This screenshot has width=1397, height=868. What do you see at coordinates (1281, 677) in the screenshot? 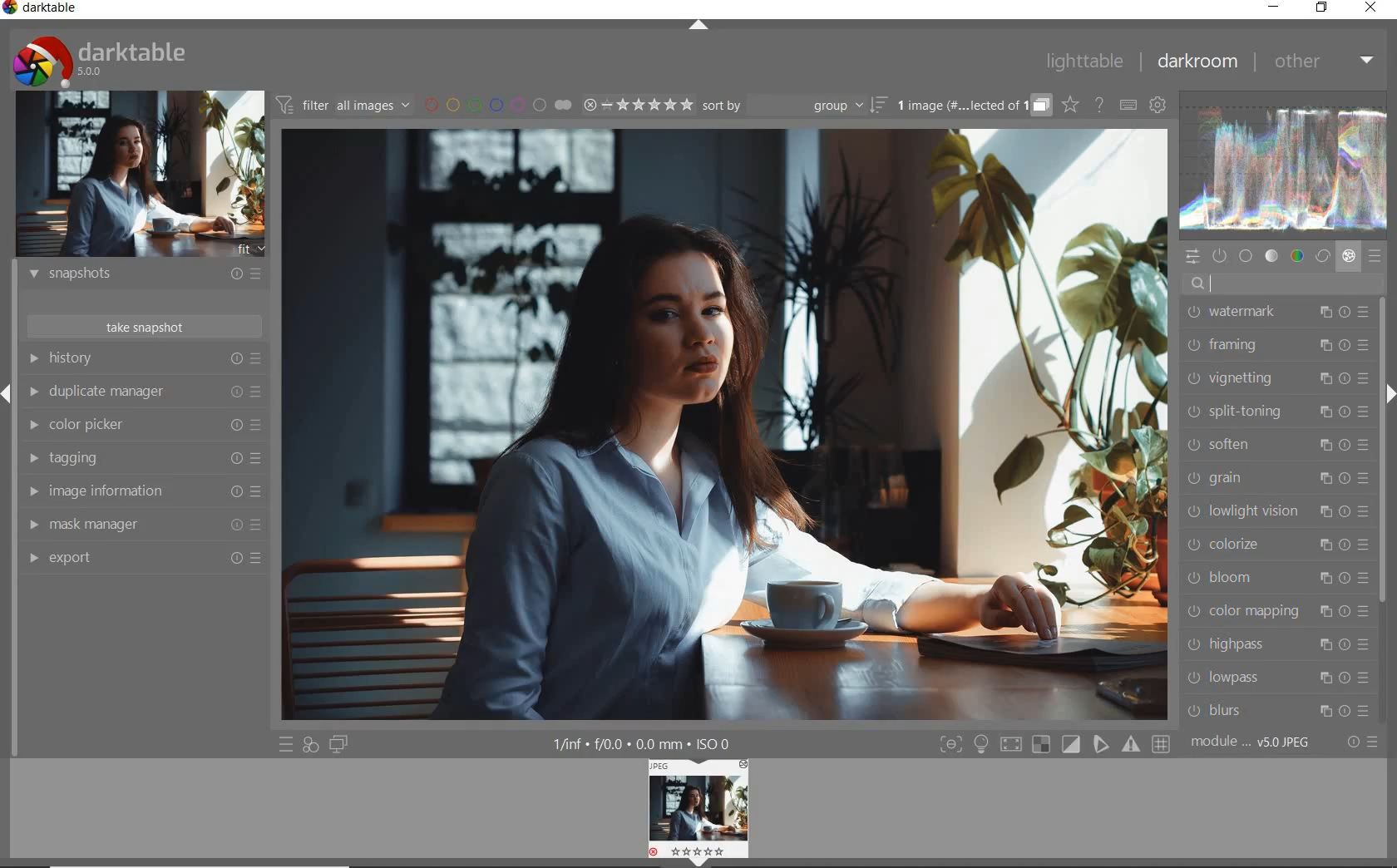
I see `lowpass` at bounding box center [1281, 677].